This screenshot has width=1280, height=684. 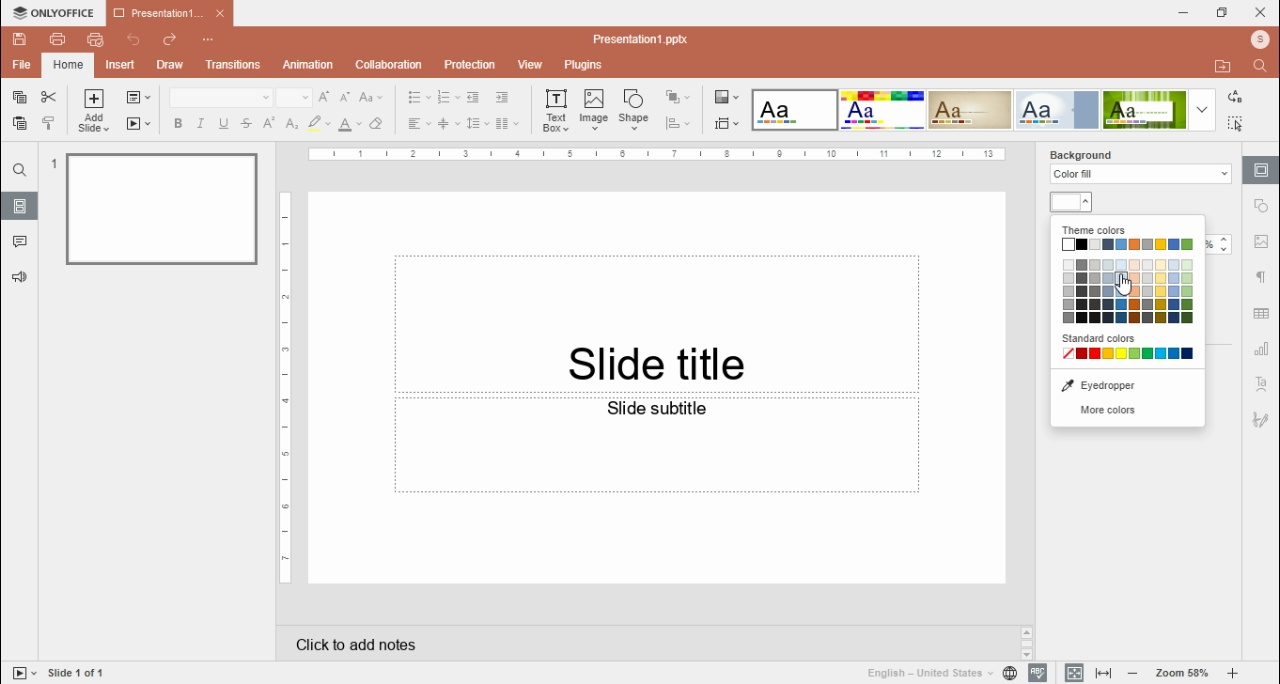 What do you see at coordinates (152, 208) in the screenshot?
I see `slide 1` at bounding box center [152, 208].